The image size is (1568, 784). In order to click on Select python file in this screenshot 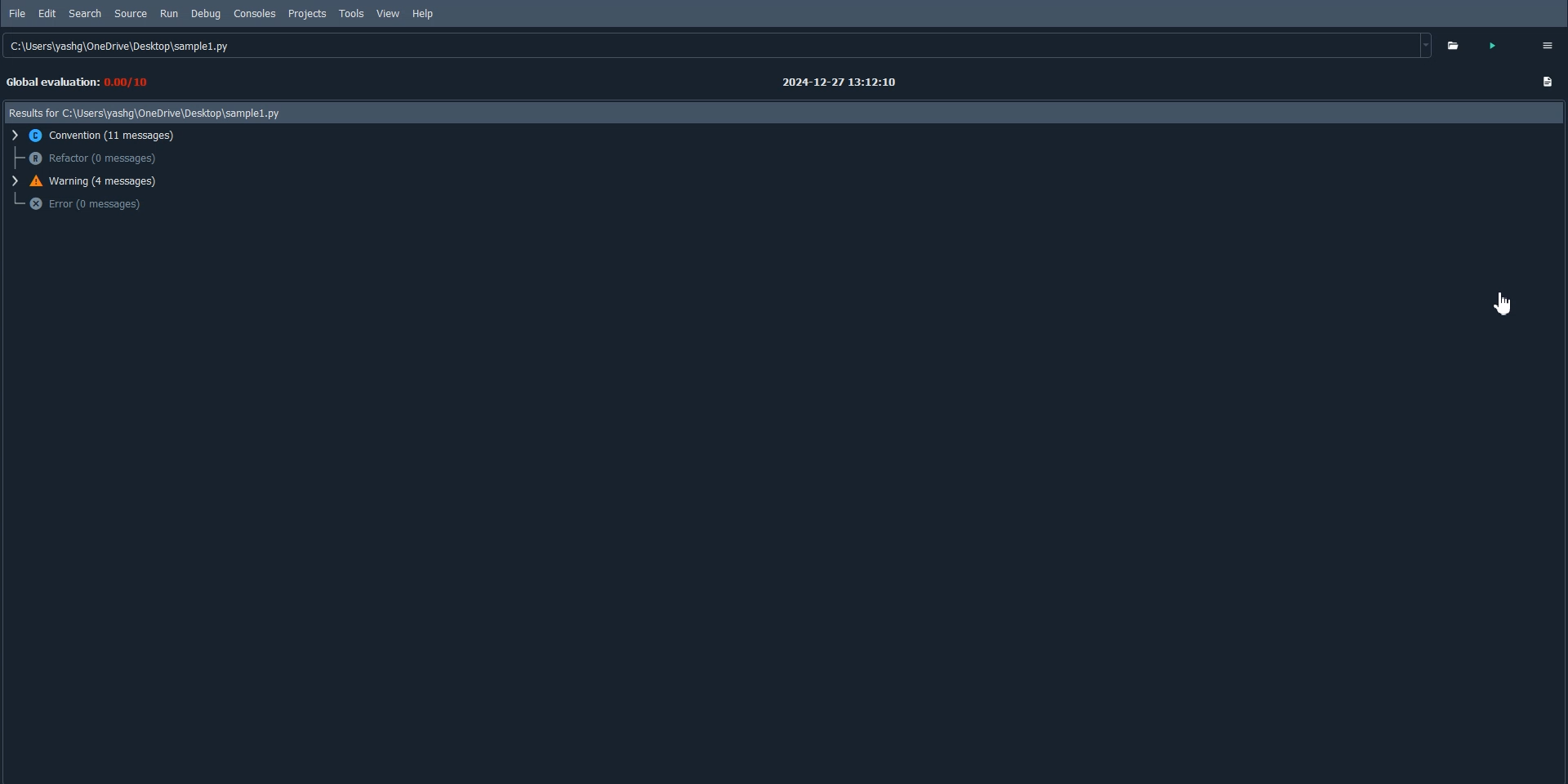, I will do `click(1459, 45)`.